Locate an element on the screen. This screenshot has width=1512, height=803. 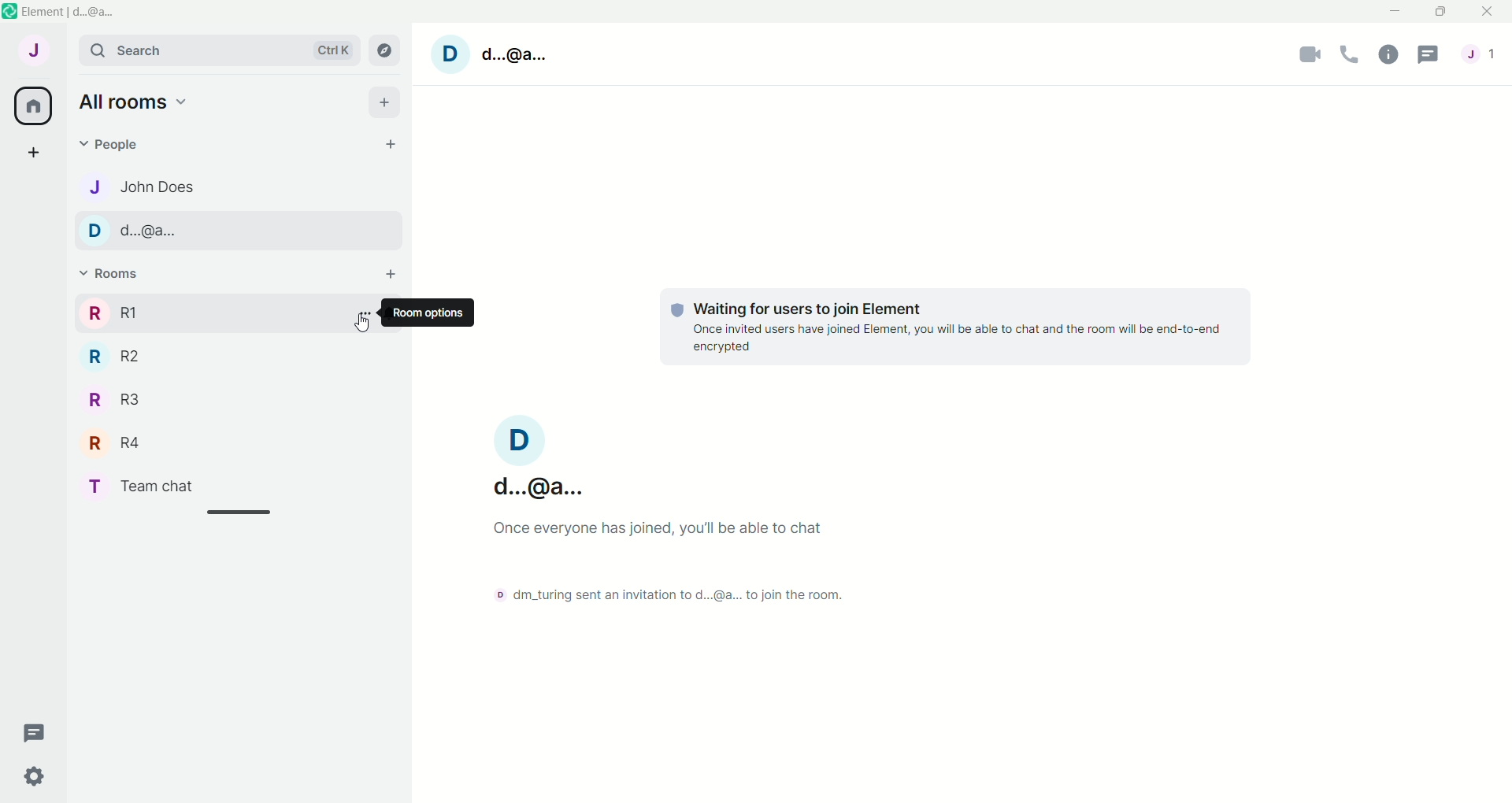
add is located at coordinates (382, 103).